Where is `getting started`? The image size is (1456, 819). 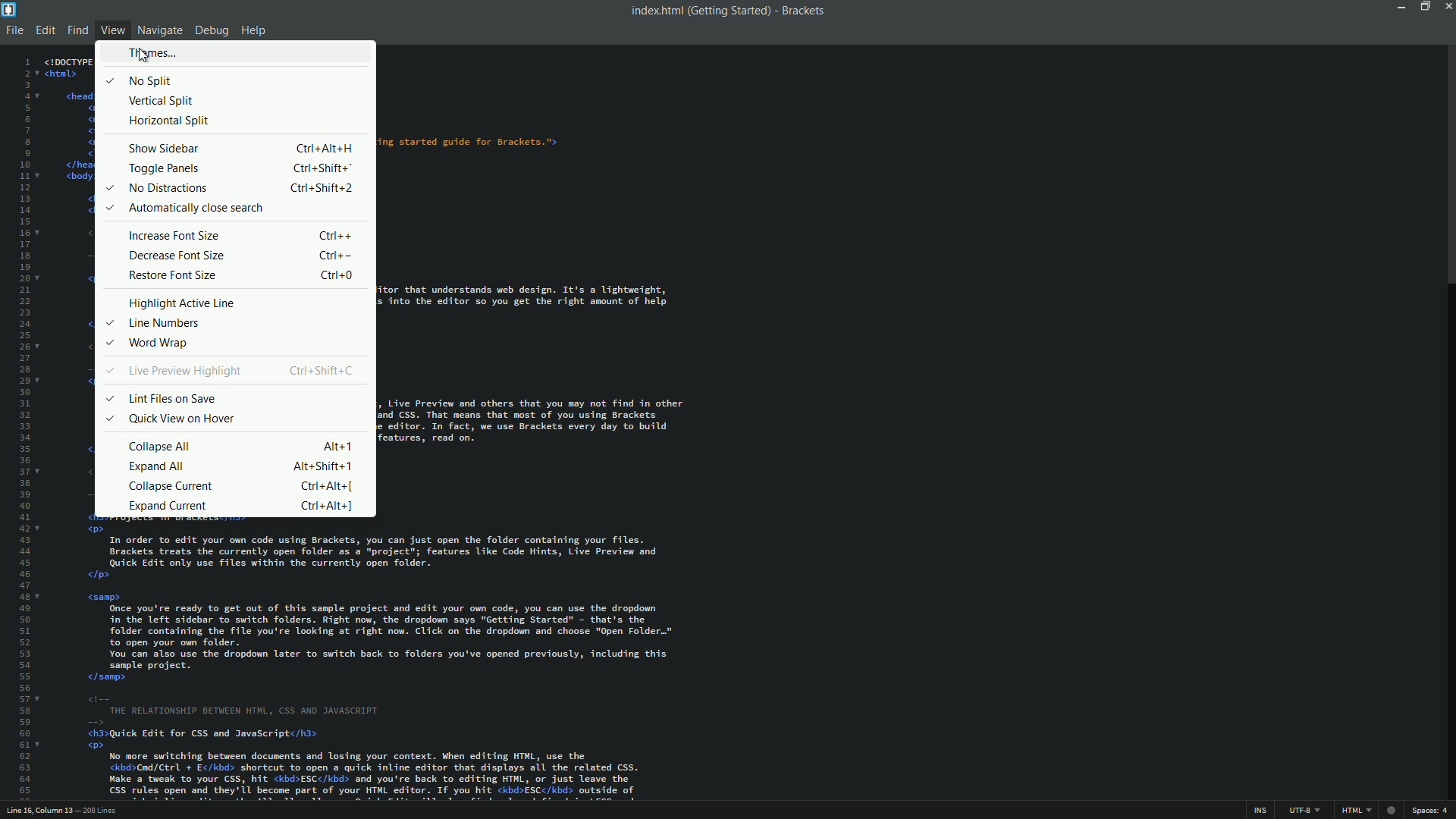
getting started is located at coordinates (729, 11).